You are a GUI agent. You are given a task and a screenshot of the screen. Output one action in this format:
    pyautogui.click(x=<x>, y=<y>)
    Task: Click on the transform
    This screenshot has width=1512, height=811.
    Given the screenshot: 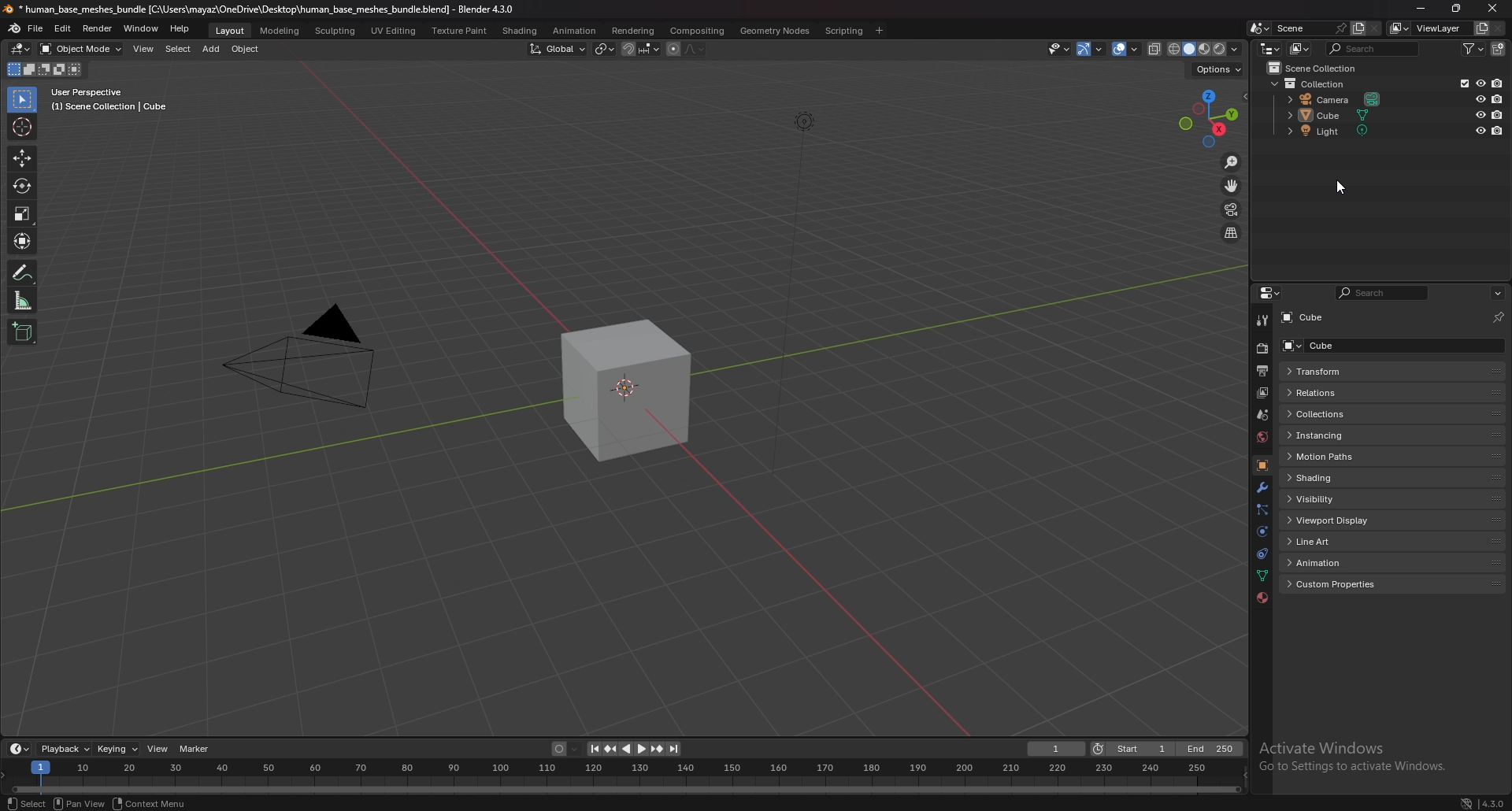 What is the action you would take?
    pyautogui.click(x=1338, y=371)
    